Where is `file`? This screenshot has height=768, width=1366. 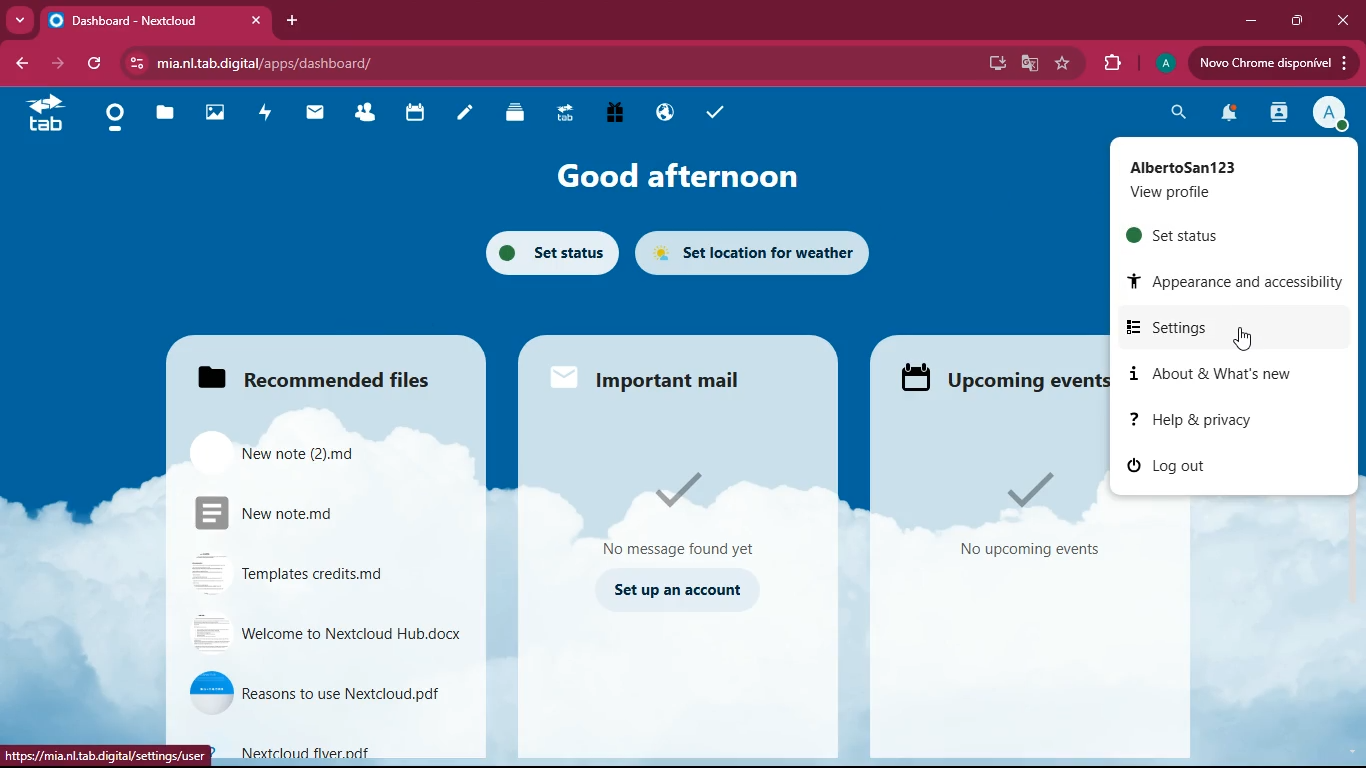
file is located at coordinates (297, 573).